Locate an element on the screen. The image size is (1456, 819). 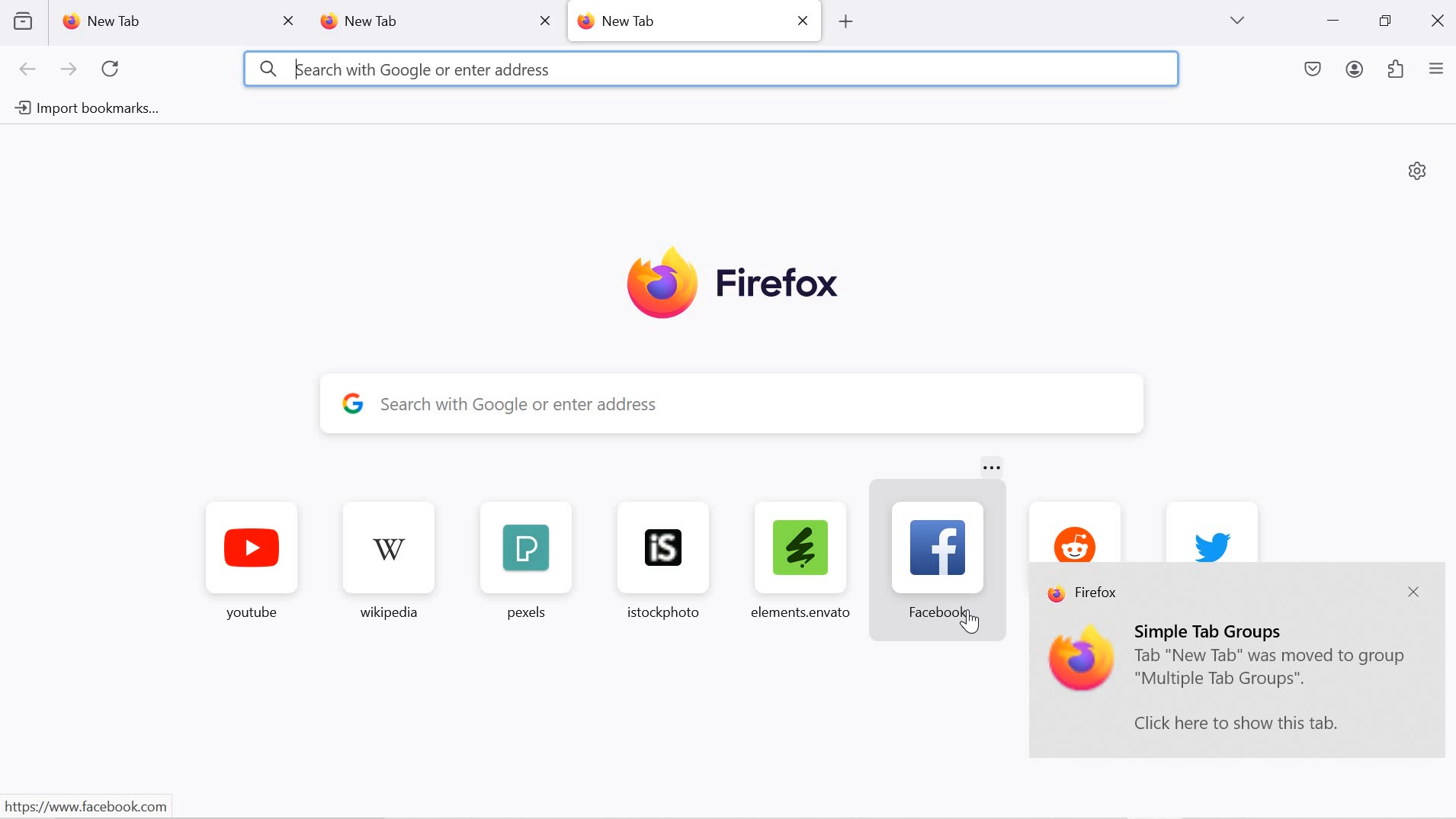
refresh is located at coordinates (111, 69).